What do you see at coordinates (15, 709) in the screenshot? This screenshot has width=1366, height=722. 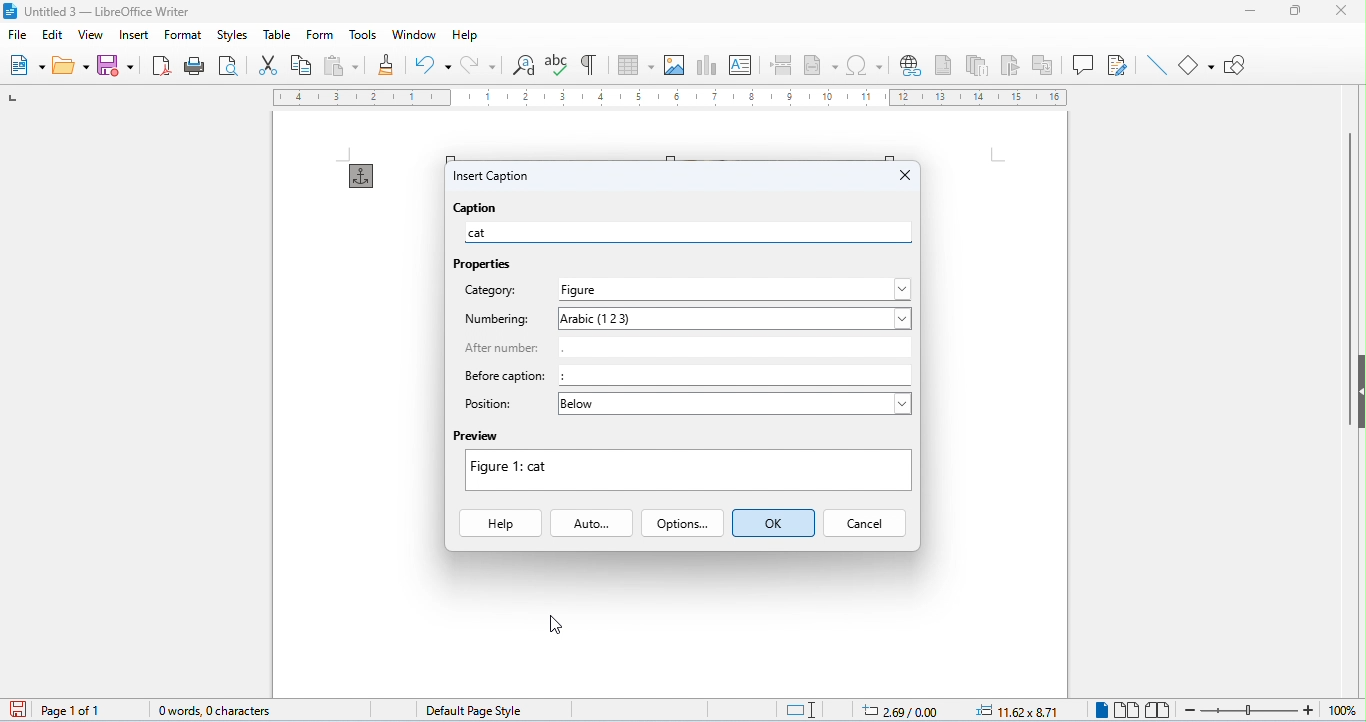 I see `save` at bounding box center [15, 709].